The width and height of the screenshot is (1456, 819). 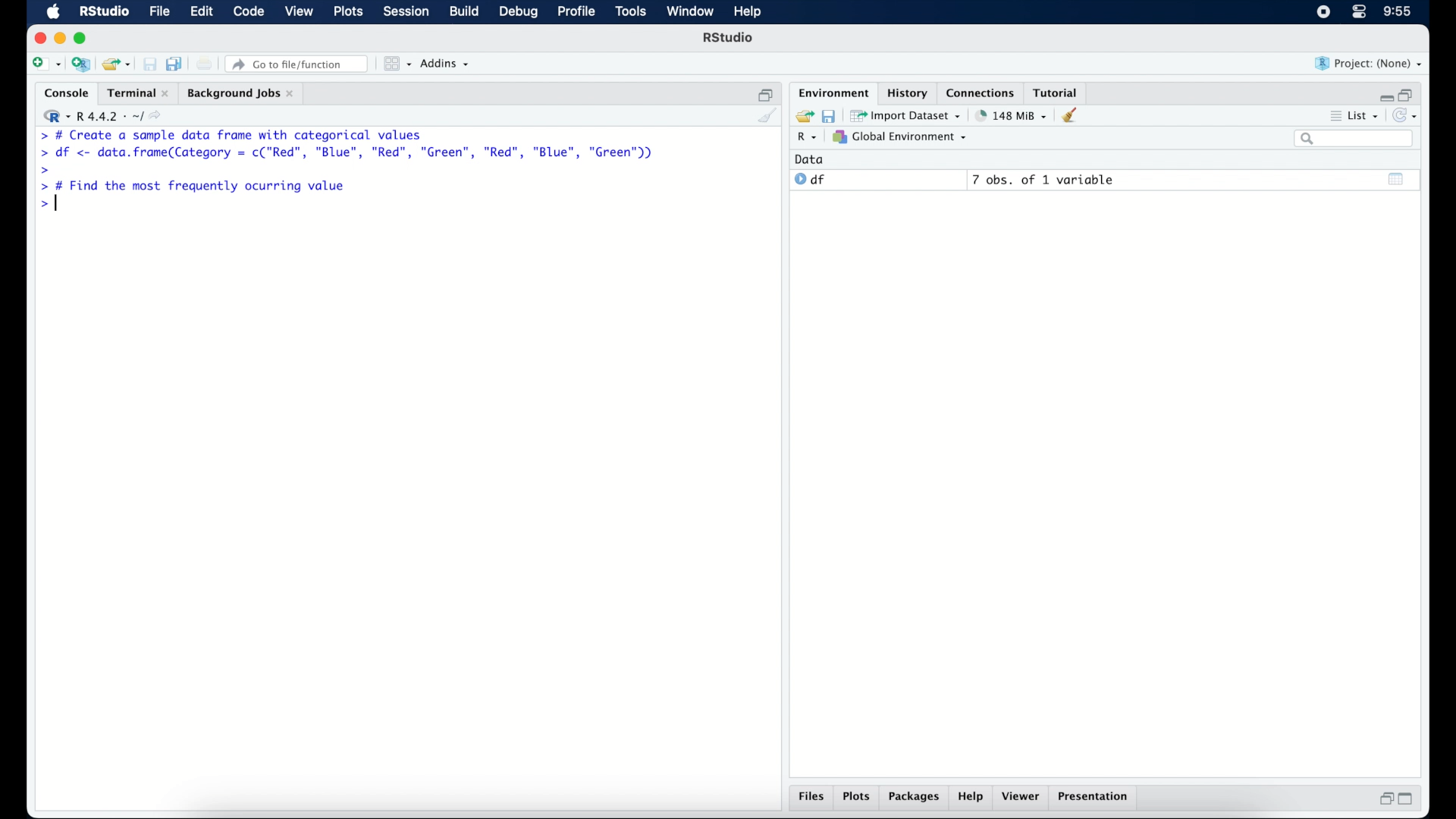 I want to click on import dataset, so click(x=907, y=115).